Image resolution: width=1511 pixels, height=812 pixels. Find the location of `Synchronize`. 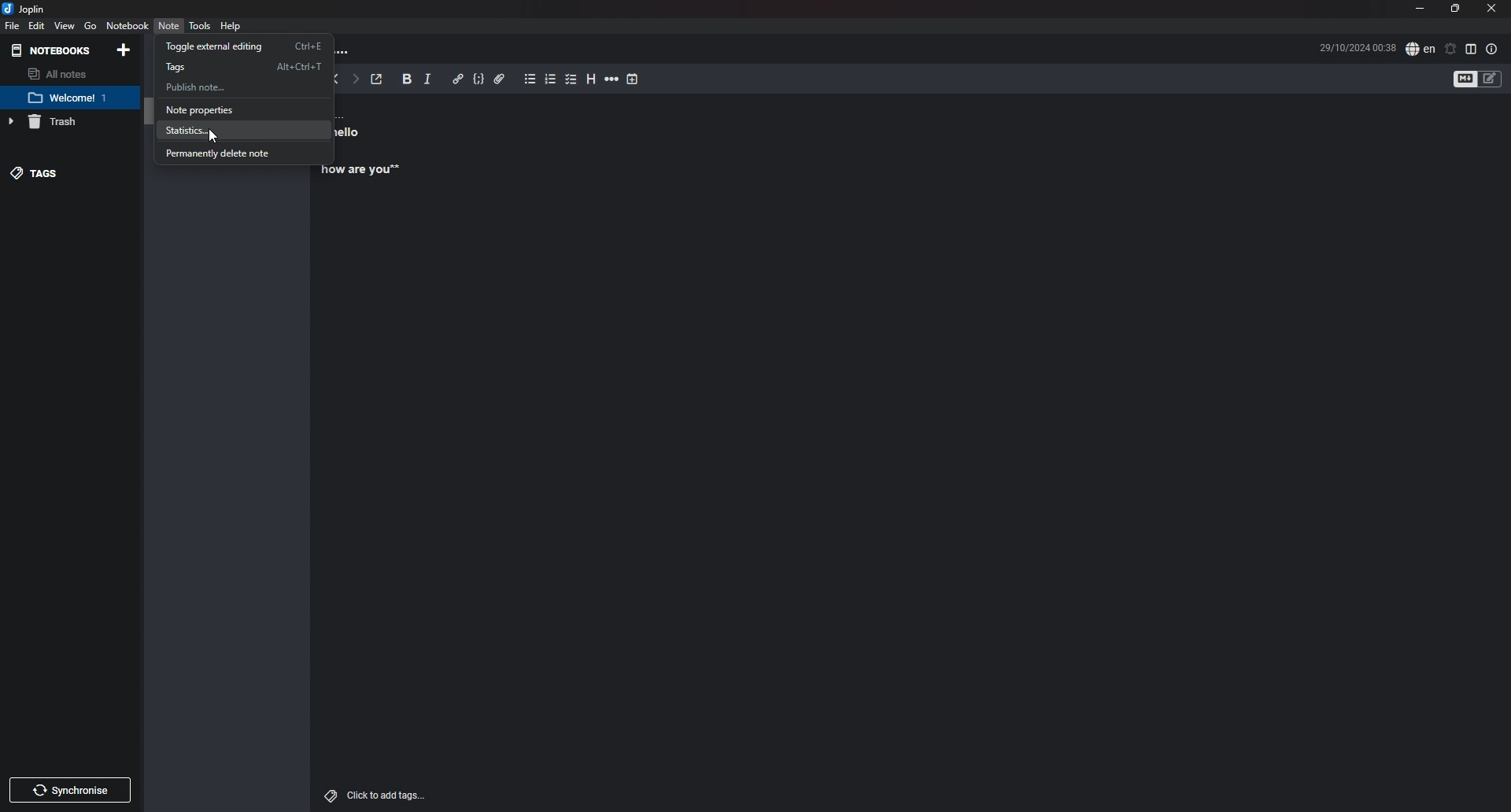

Synchronize is located at coordinates (72, 788).